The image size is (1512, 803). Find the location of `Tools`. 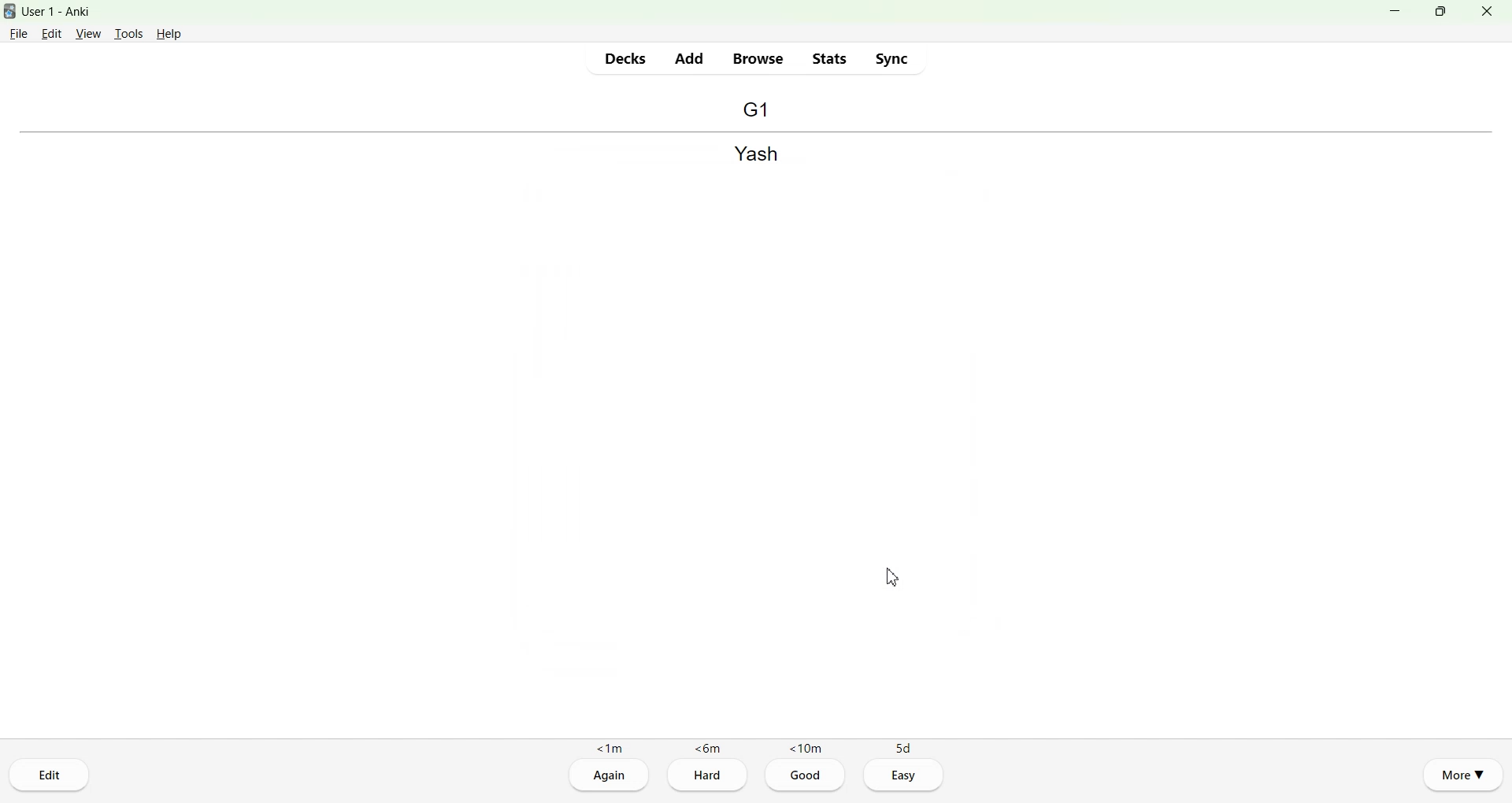

Tools is located at coordinates (128, 34).